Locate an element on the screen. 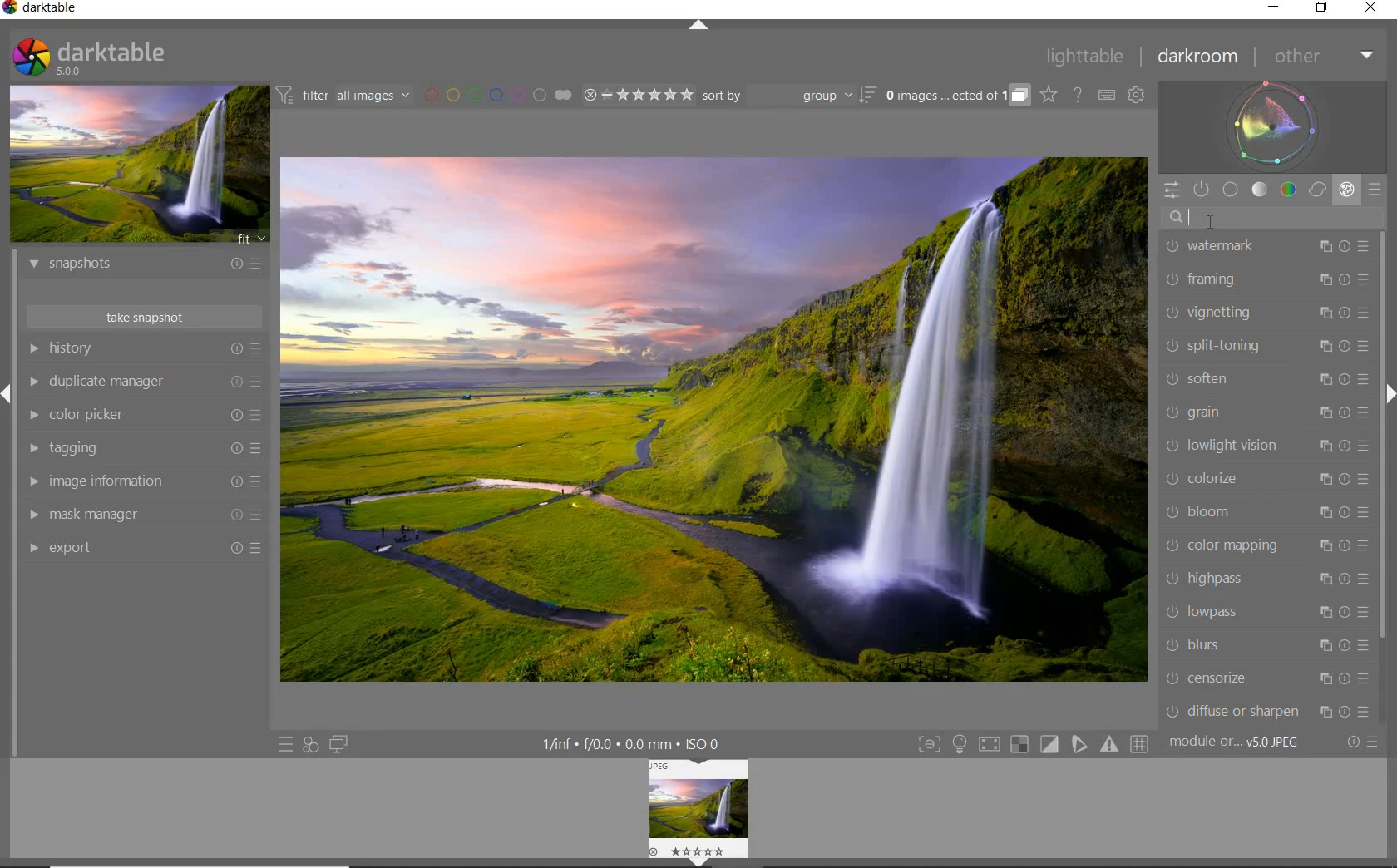  colorize is located at coordinates (1264, 479).